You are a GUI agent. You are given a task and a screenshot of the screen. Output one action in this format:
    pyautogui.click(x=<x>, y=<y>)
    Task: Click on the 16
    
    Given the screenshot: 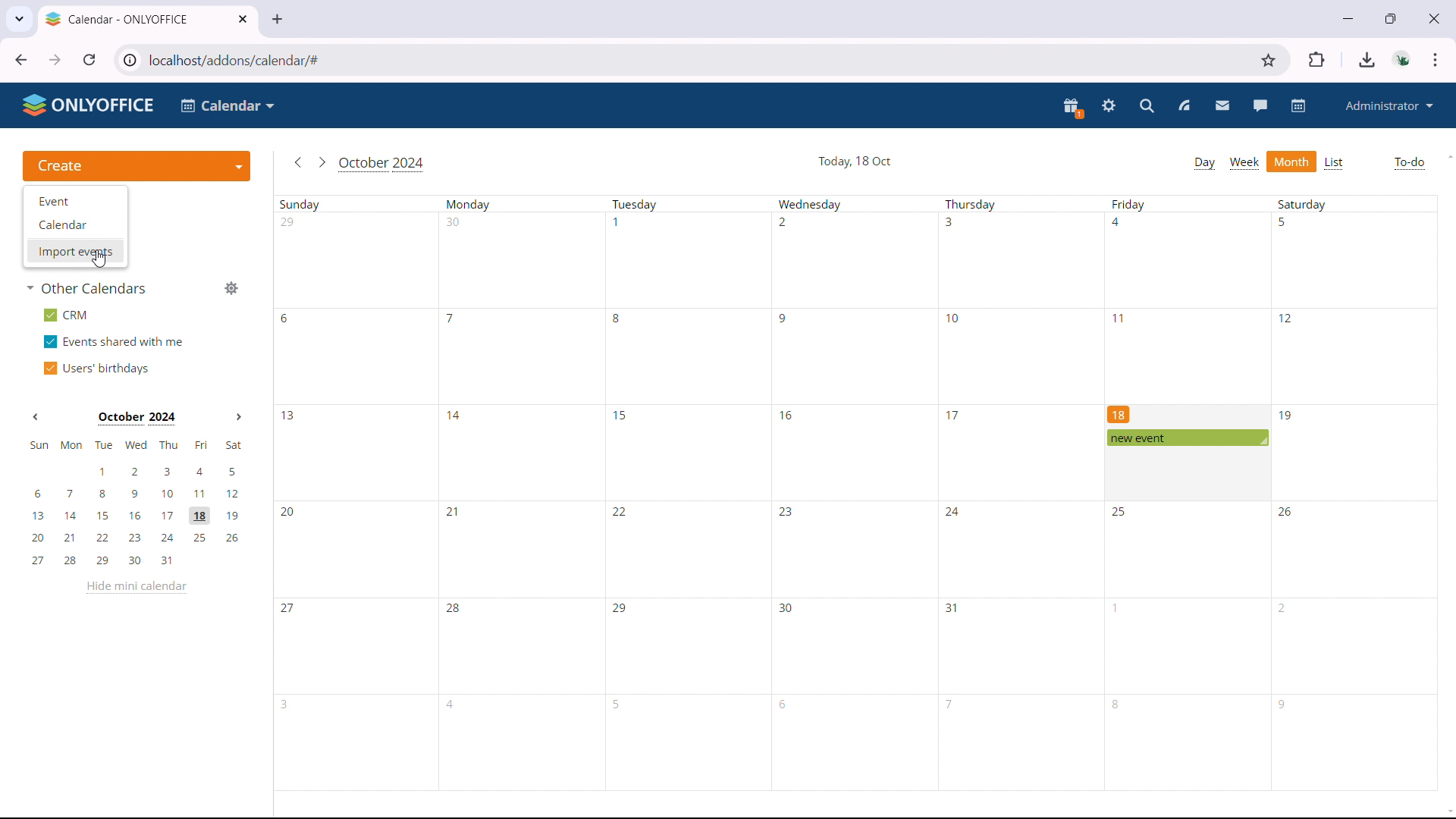 What is the action you would take?
    pyautogui.click(x=785, y=414)
    